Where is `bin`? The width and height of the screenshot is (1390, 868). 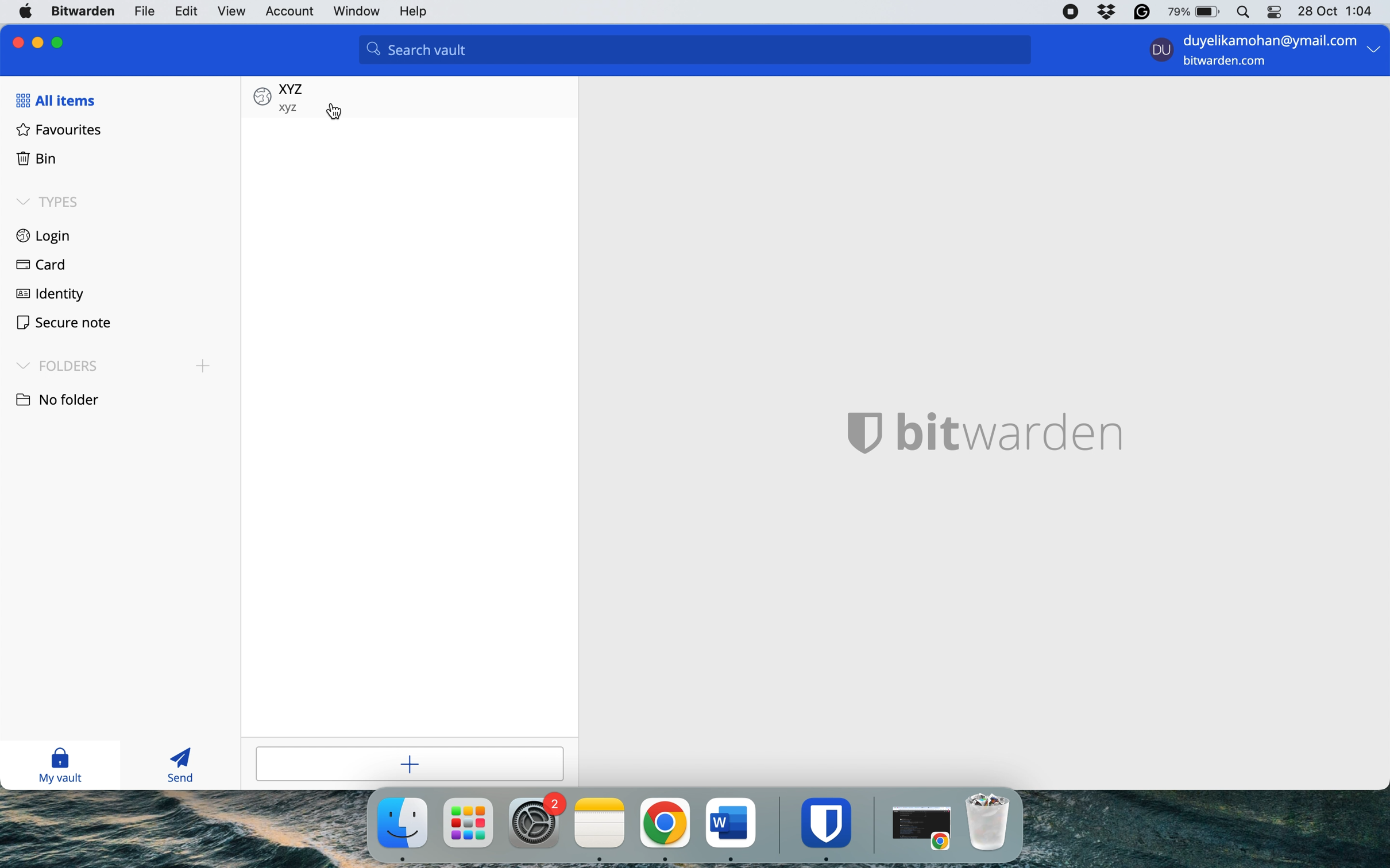
bin is located at coordinates (994, 821).